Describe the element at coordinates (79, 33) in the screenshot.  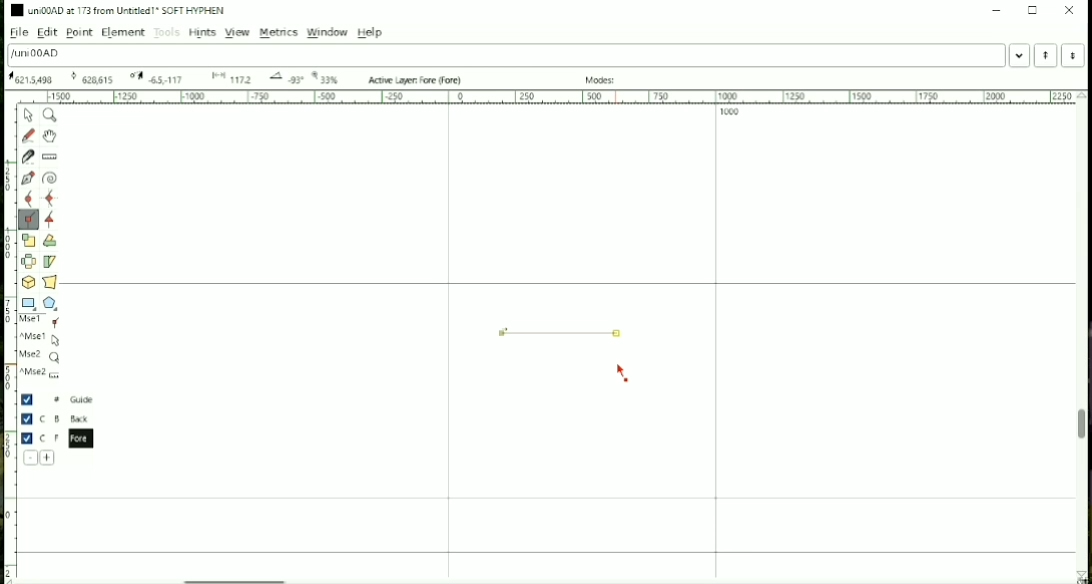
I see `Point` at that location.